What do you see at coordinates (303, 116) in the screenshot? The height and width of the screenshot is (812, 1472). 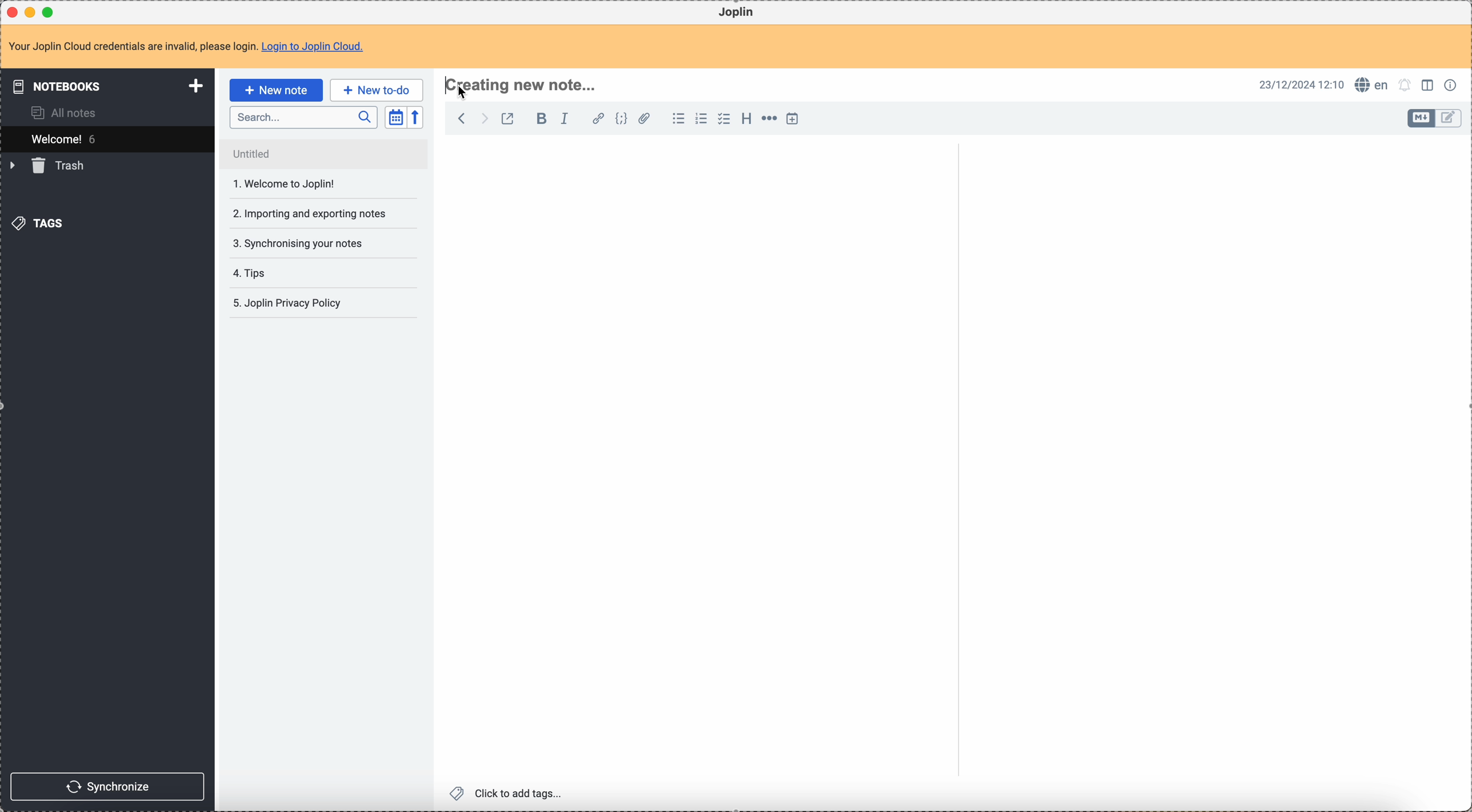 I see `search bar` at bounding box center [303, 116].